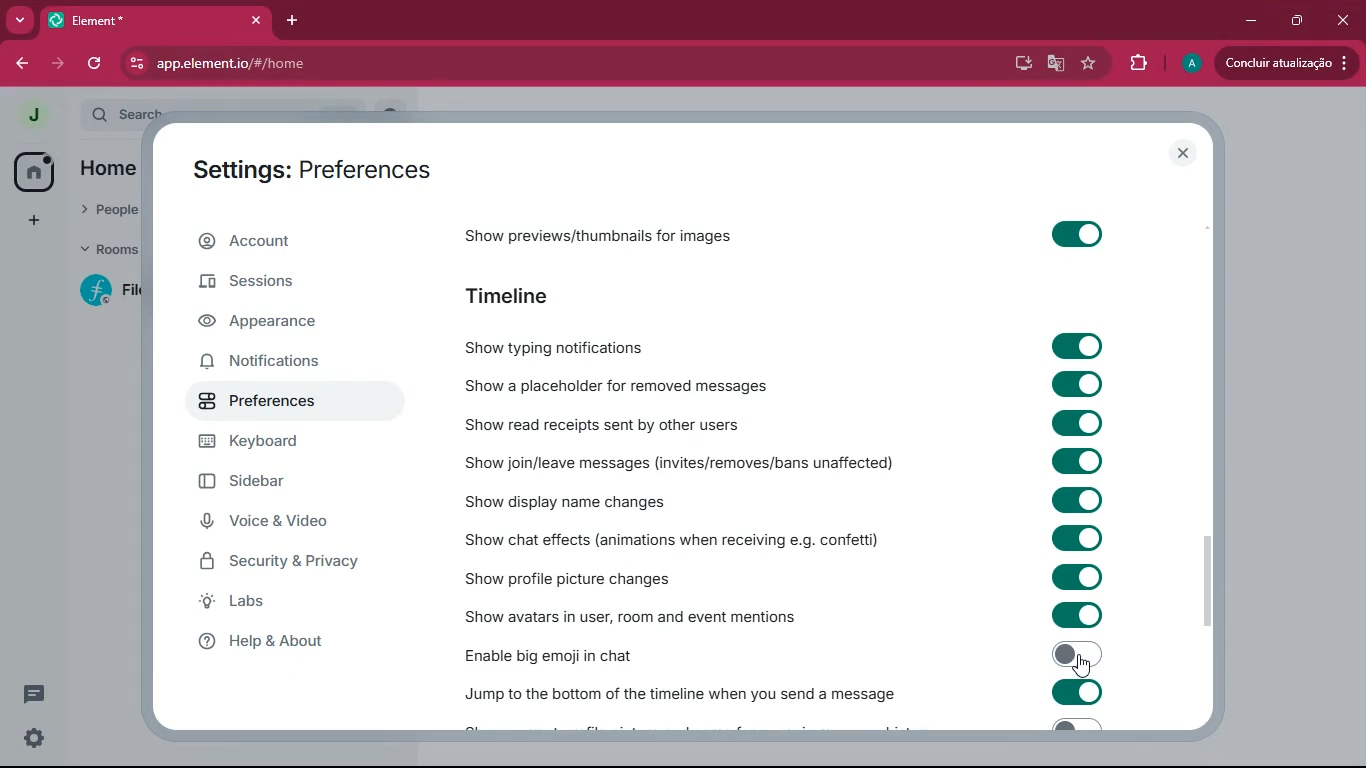 The image size is (1366, 768). I want to click on show a placeholder for removed messages, so click(658, 385).